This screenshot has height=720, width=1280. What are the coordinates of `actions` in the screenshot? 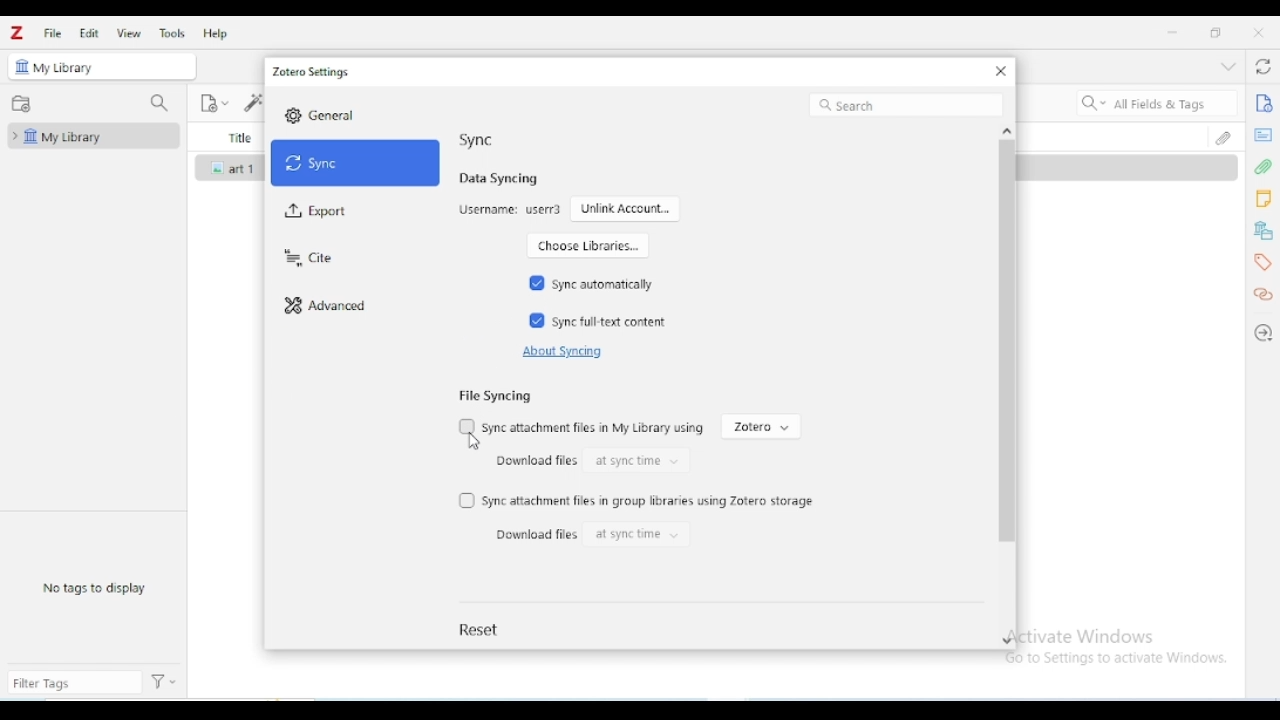 It's located at (164, 682).